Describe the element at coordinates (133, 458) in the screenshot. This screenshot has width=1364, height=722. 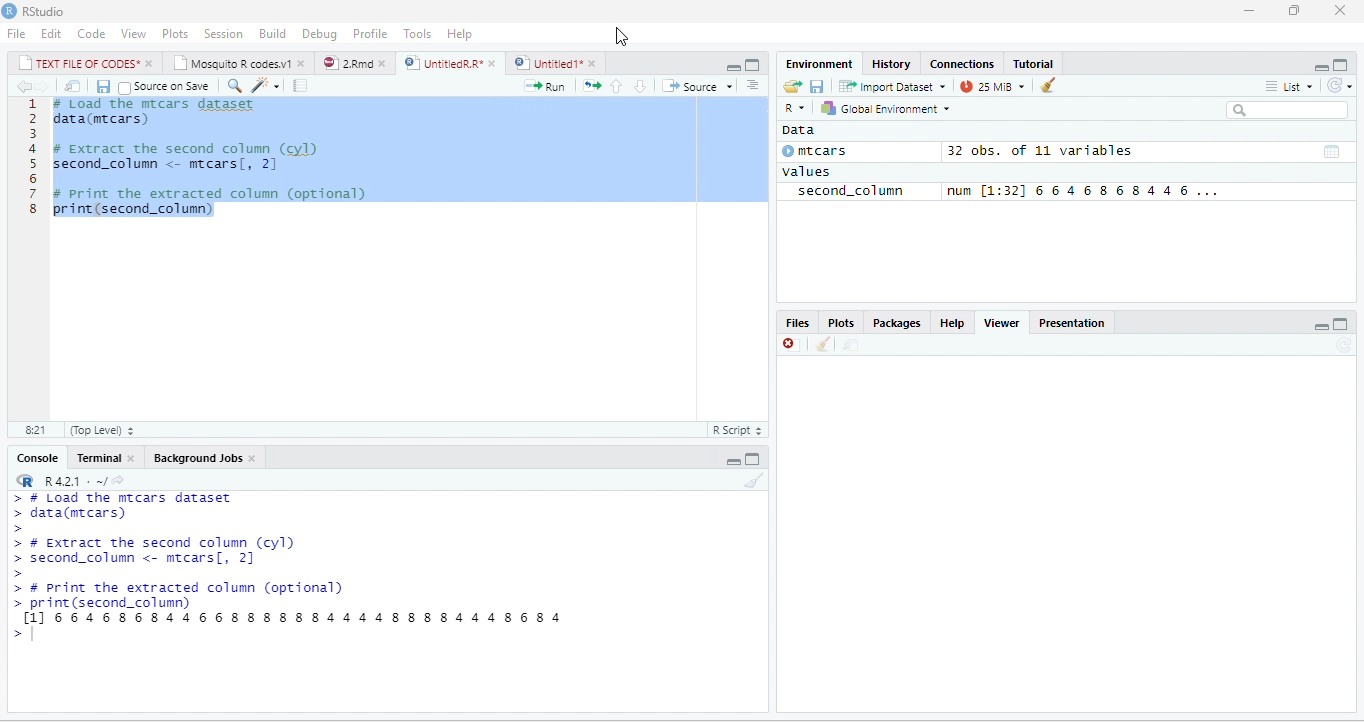
I see `close` at that location.